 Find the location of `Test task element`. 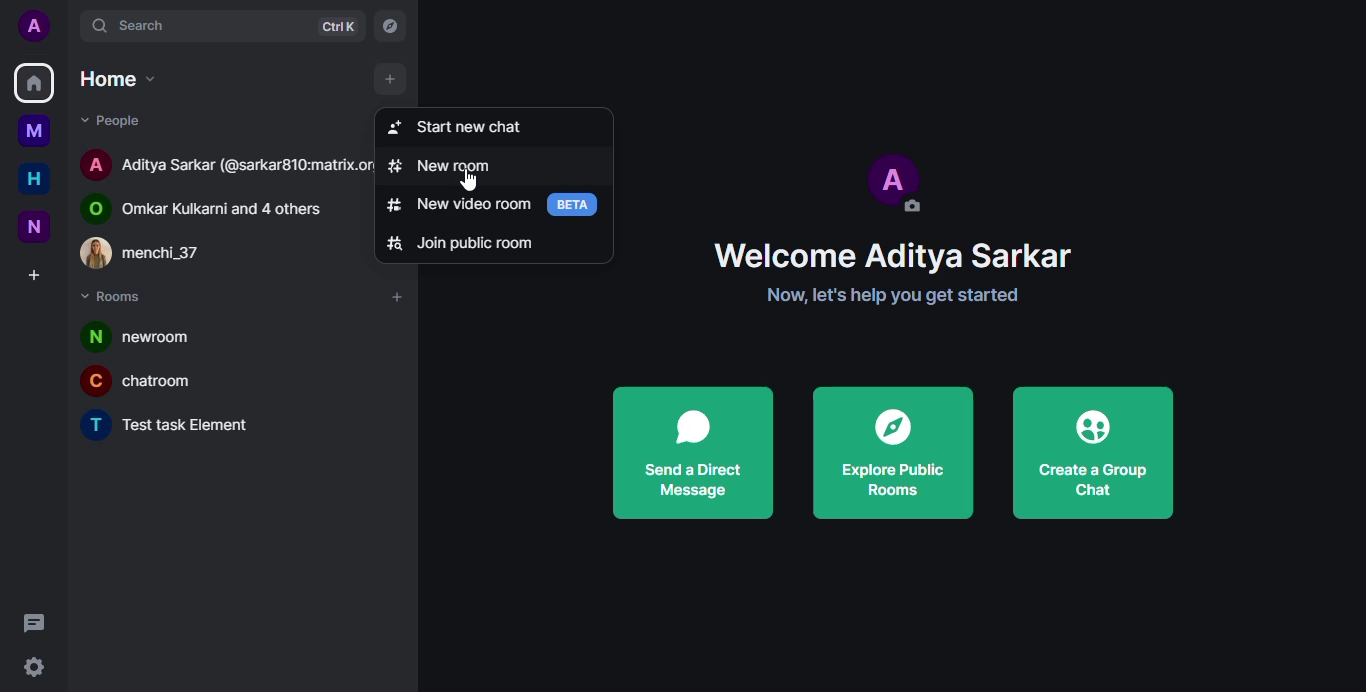

Test task element is located at coordinates (175, 427).